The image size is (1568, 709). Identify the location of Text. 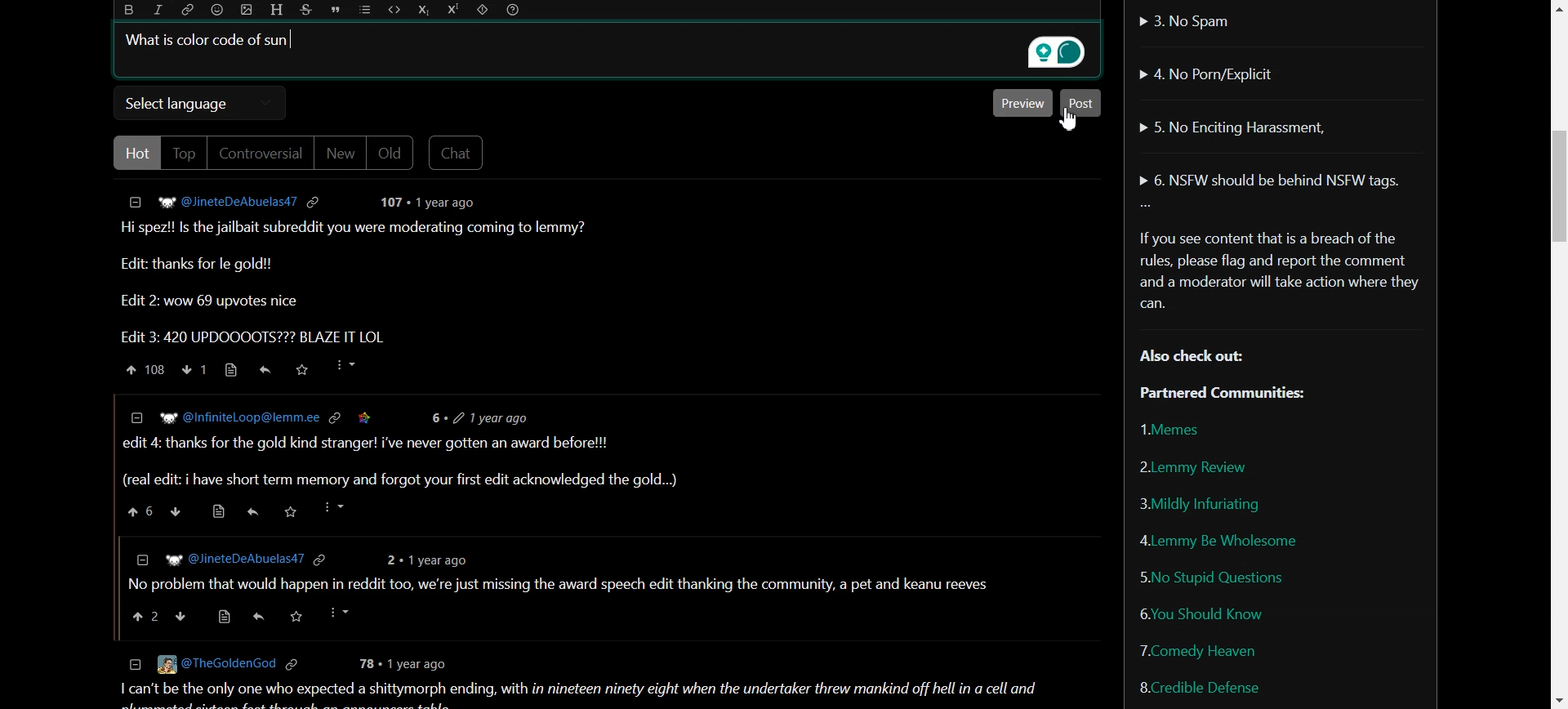
(344, 230).